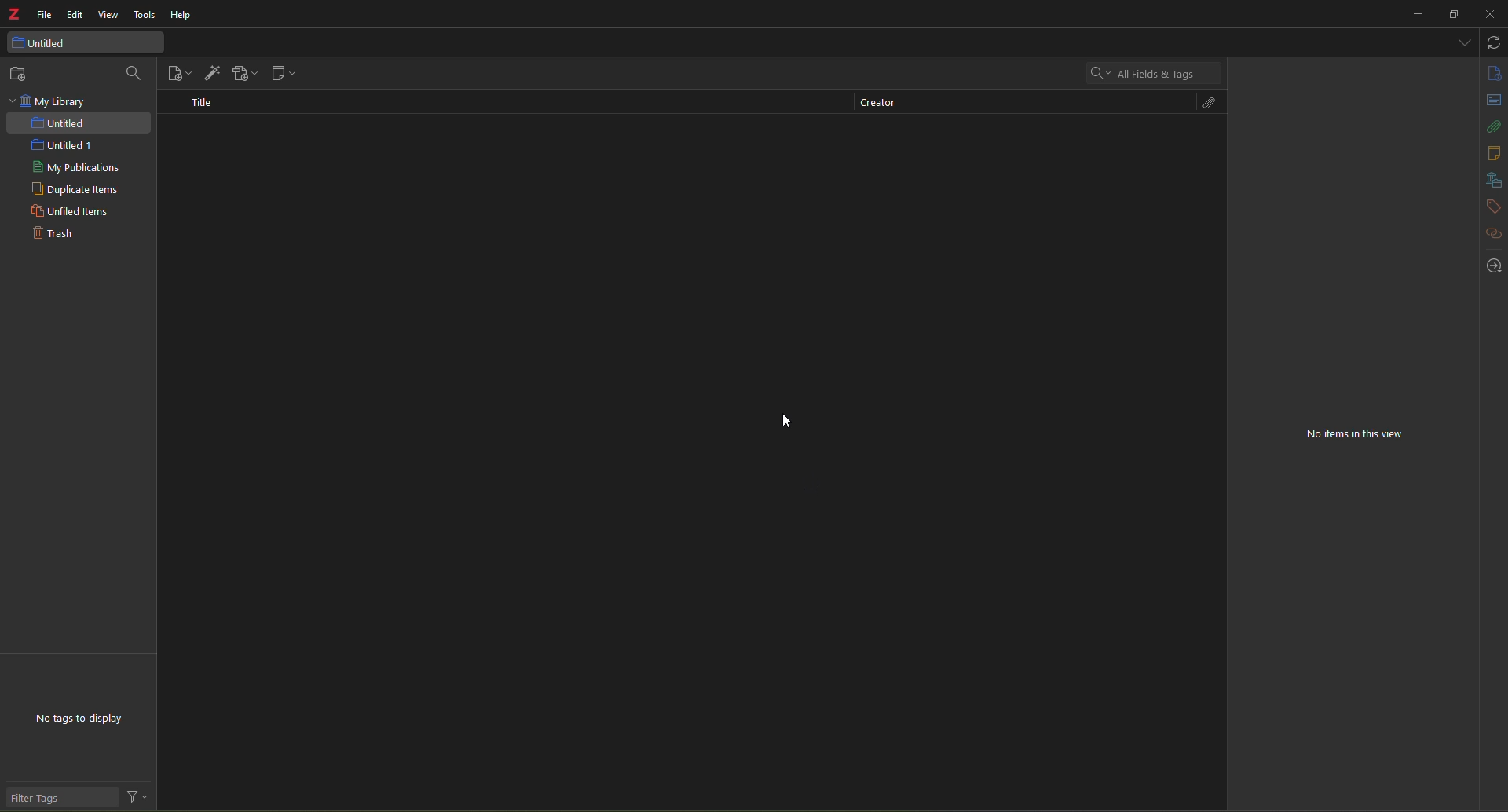 The height and width of the screenshot is (812, 1508). Describe the element at coordinates (1493, 42) in the screenshot. I see `syc` at that location.